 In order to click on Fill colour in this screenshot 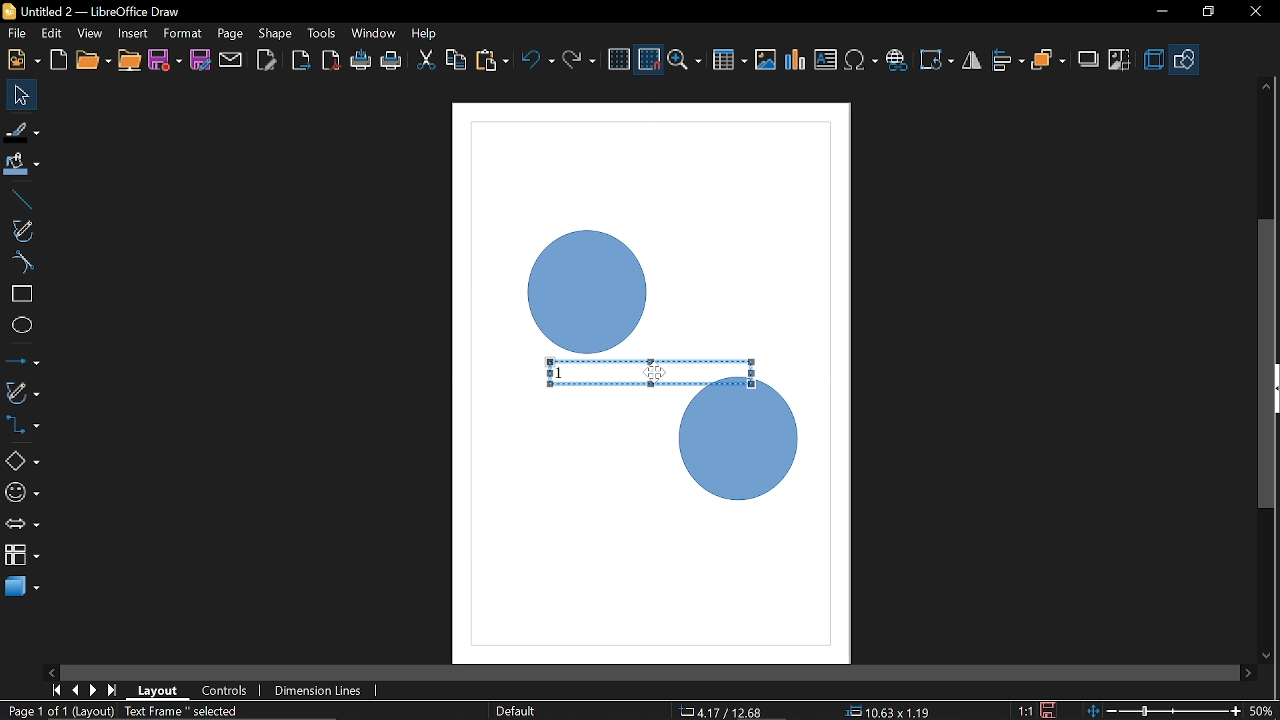, I will do `click(22, 165)`.